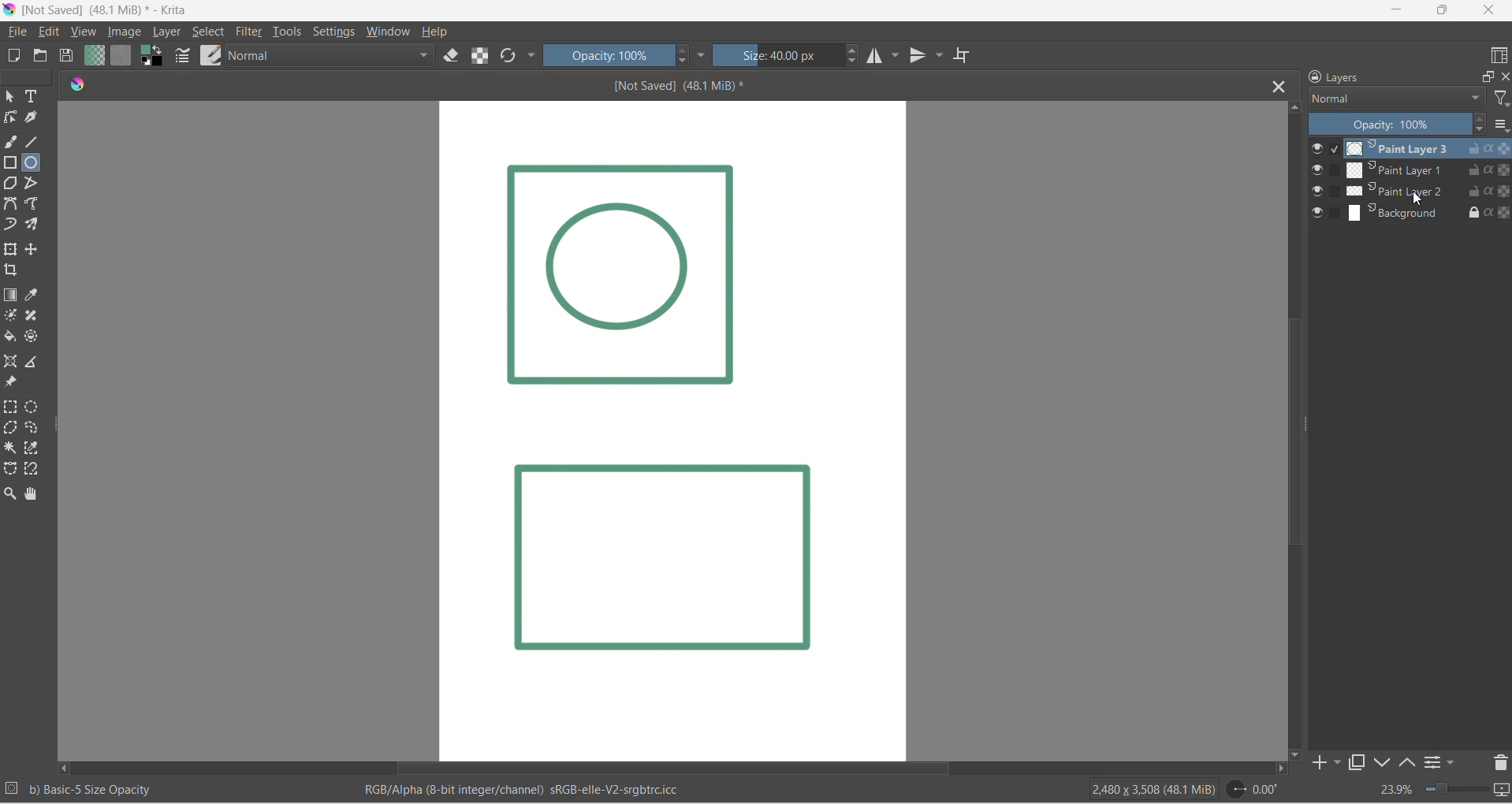 The image size is (1512, 804). I want to click on checkbox, so click(1337, 148).